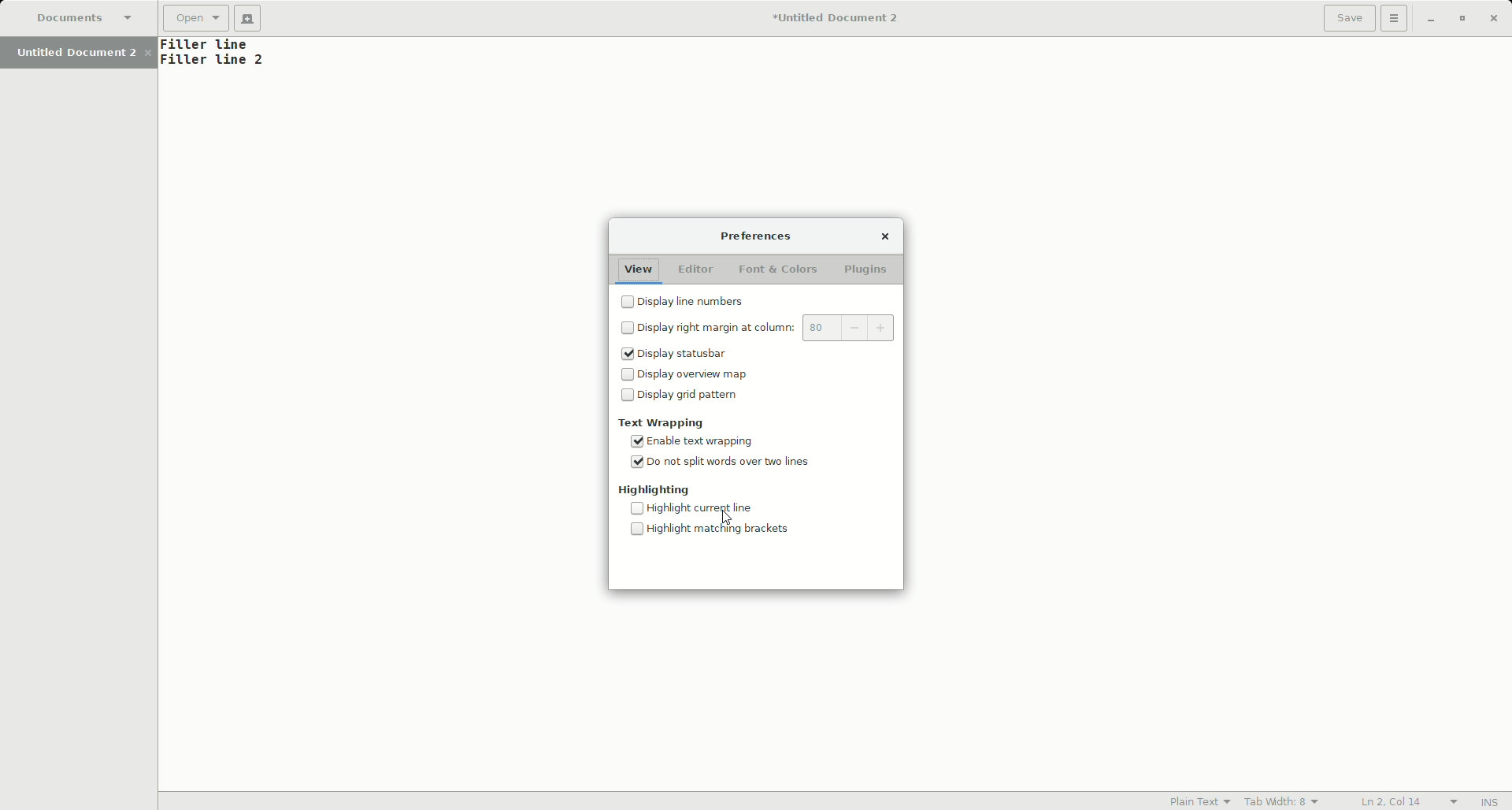  Describe the element at coordinates (251, 18) in the screenshot. I see `New` at that location.